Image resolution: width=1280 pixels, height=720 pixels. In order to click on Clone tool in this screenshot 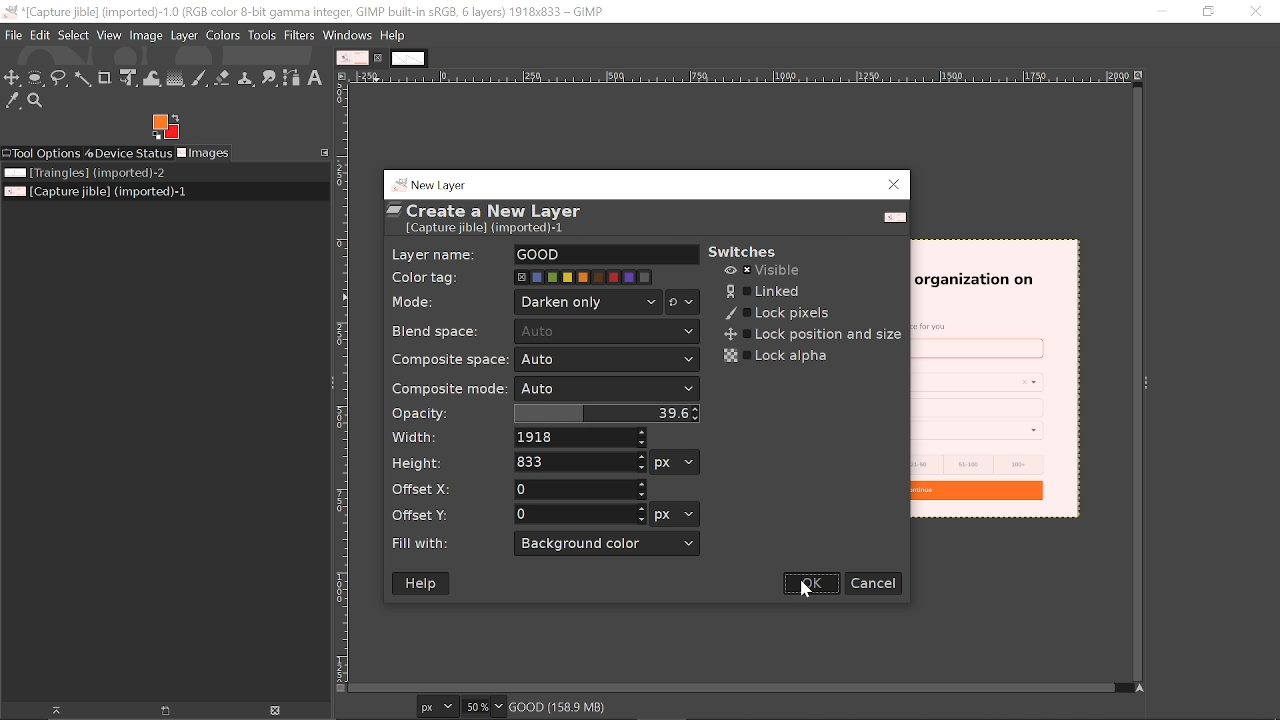, I will do `click(247, 78)`.